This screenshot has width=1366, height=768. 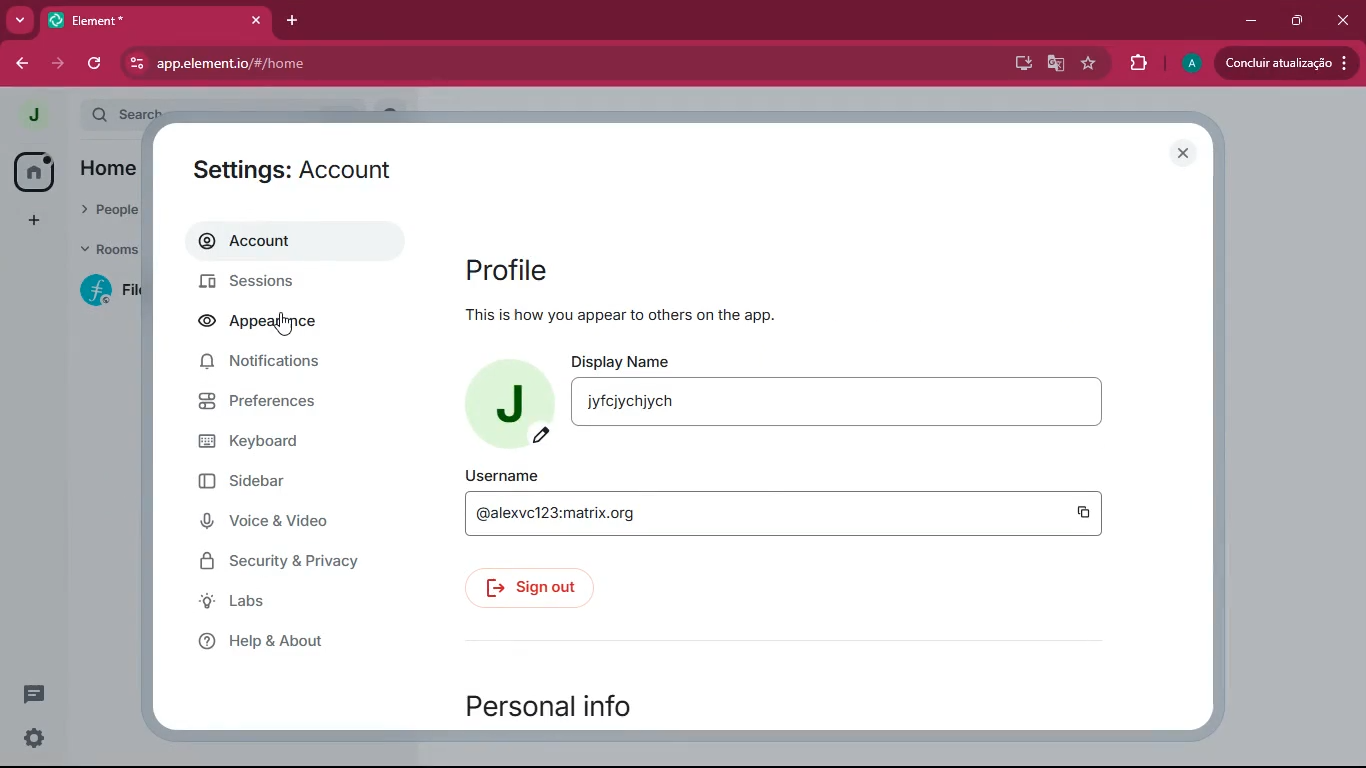 I want to click on labs, so click(x=286, y=603).